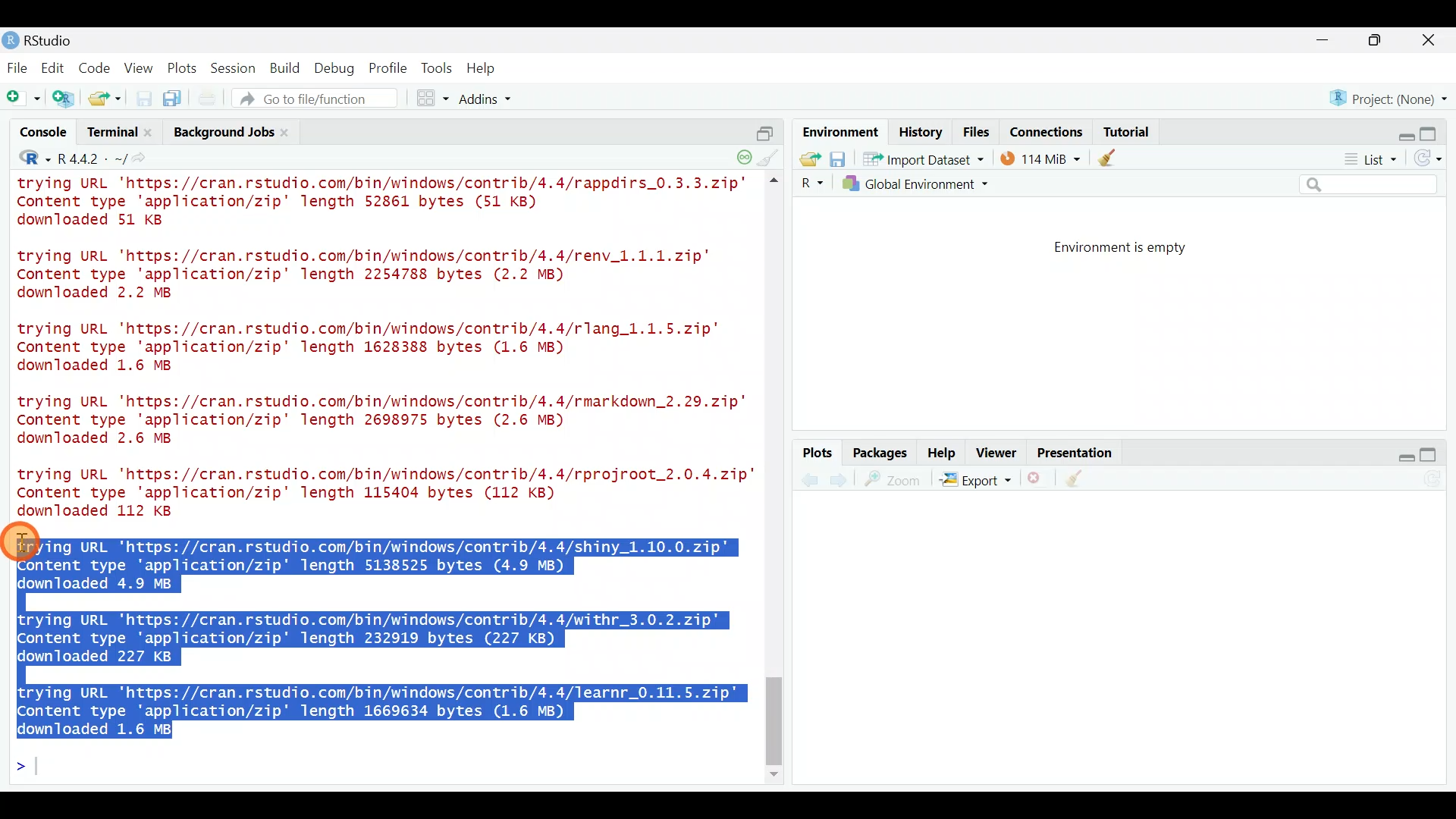  Describe the element at coordinates (1429, 42) in the screenshot. I see `close` at that location.